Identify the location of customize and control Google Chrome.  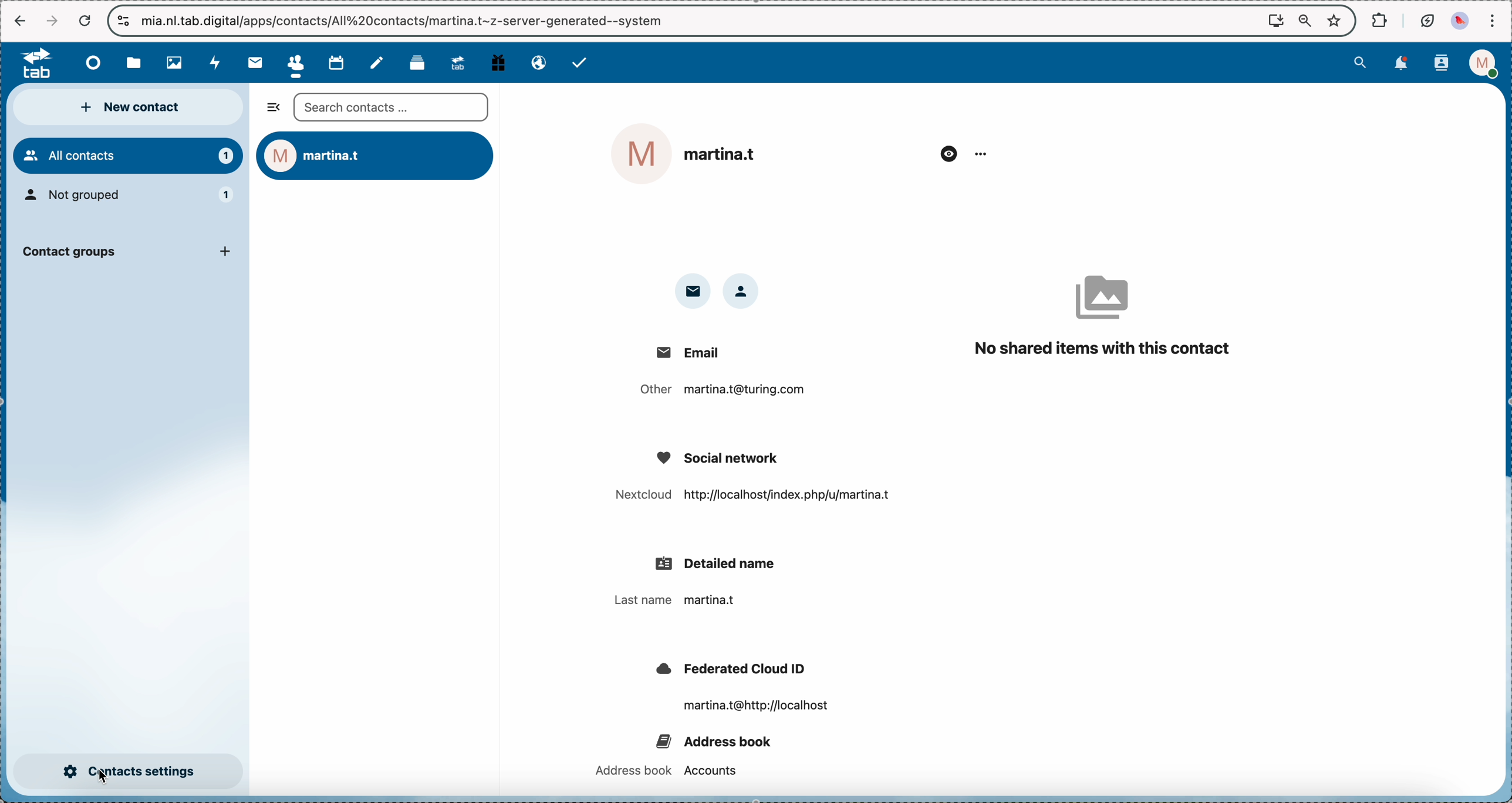
(1495, 19).